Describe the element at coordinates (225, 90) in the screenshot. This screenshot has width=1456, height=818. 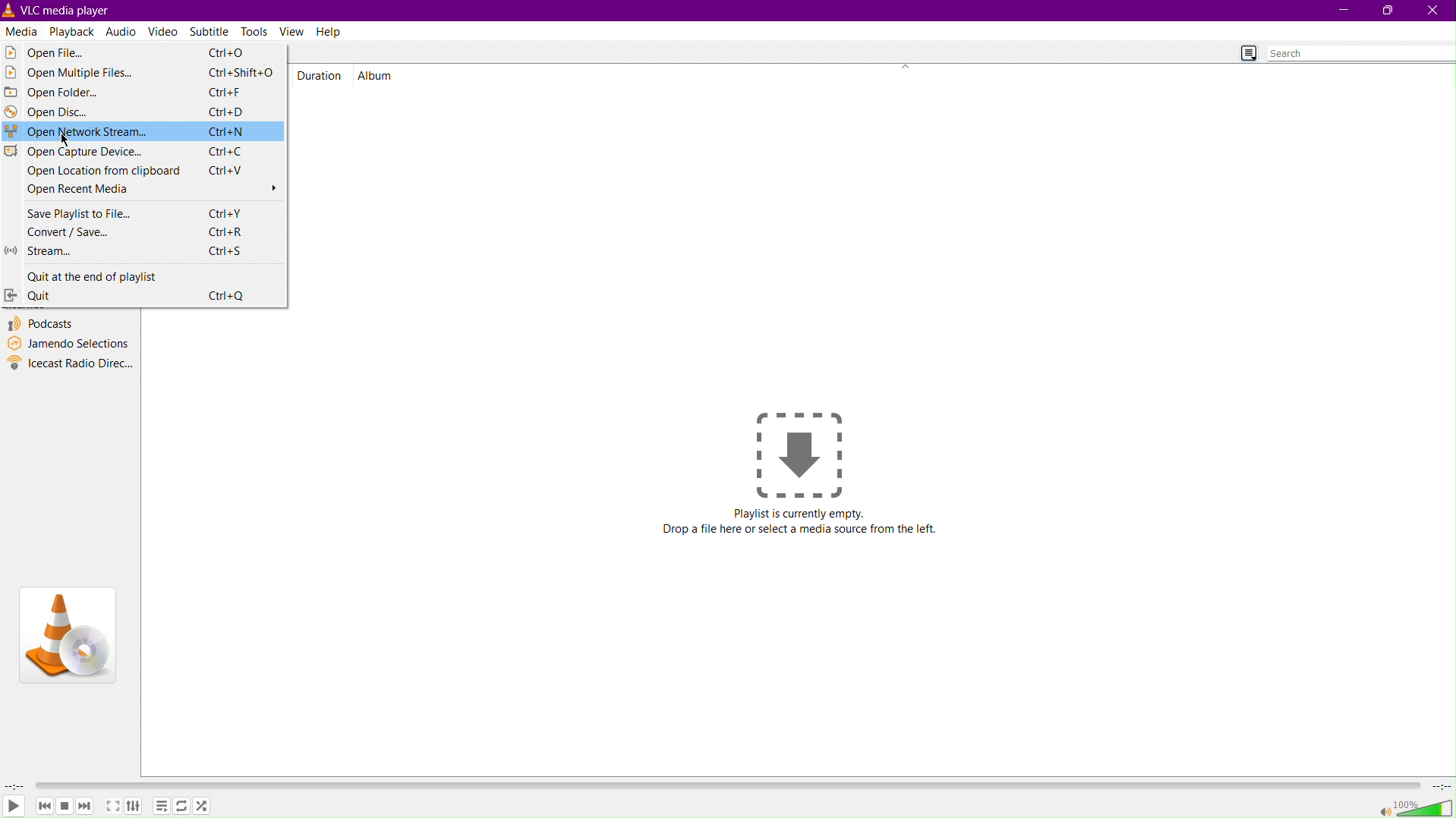
I see `Ctrl+F` at that location.